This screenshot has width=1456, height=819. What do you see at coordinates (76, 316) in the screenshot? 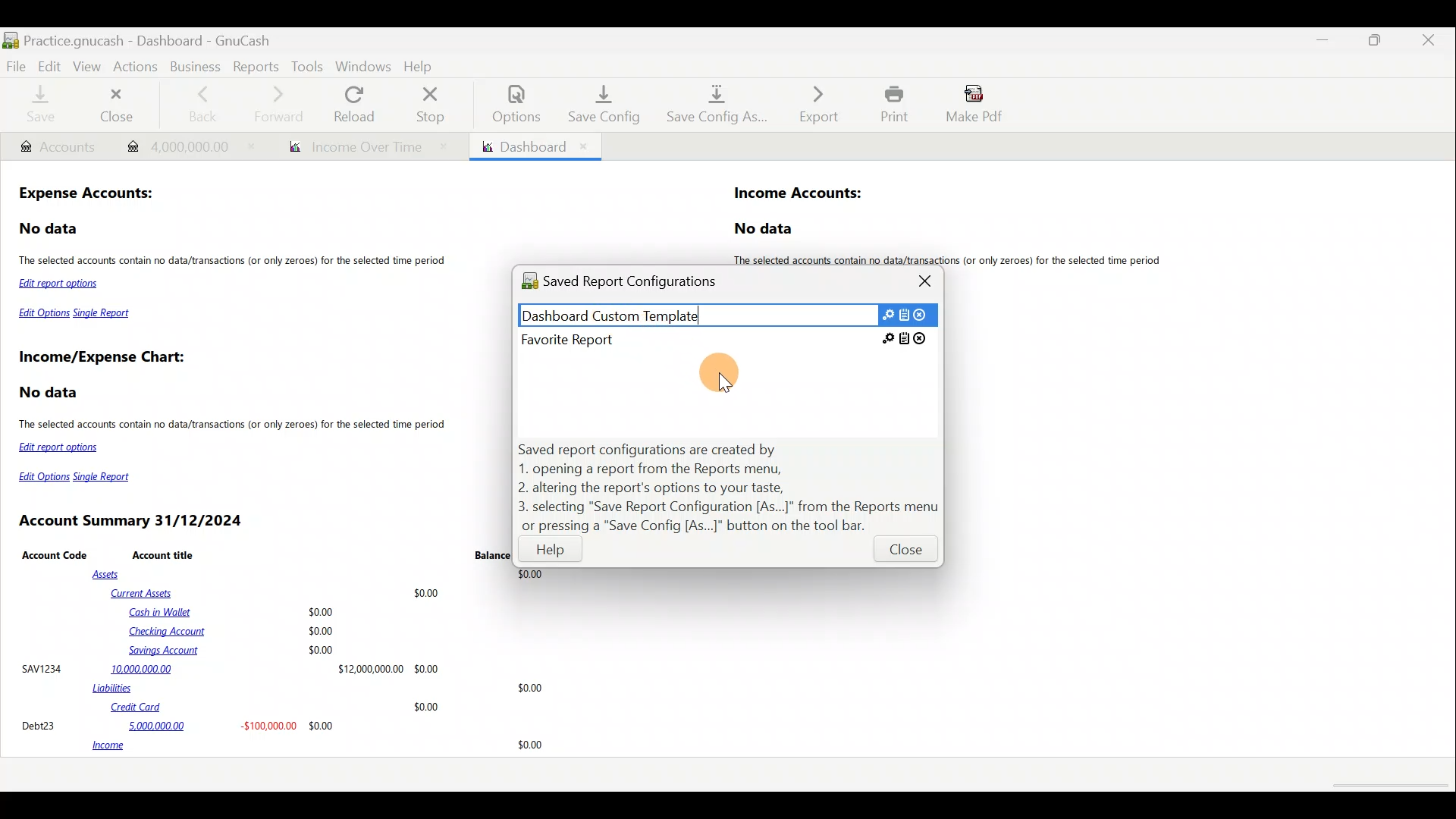
I see `Edit Options Single Report` at bounding box center [76, 316].